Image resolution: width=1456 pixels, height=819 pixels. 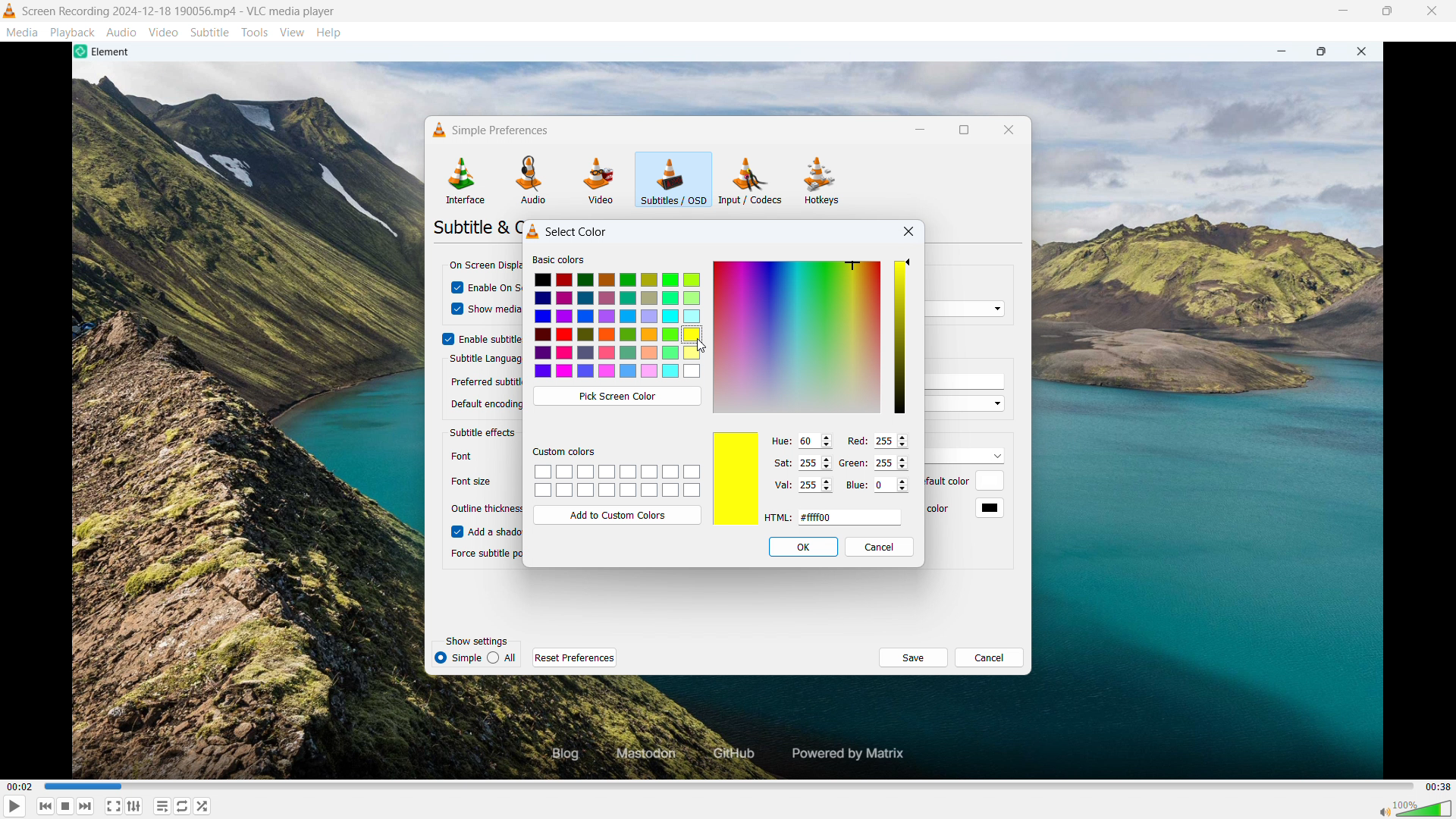 I want to click on Hue:, so click(x=779, y=441).